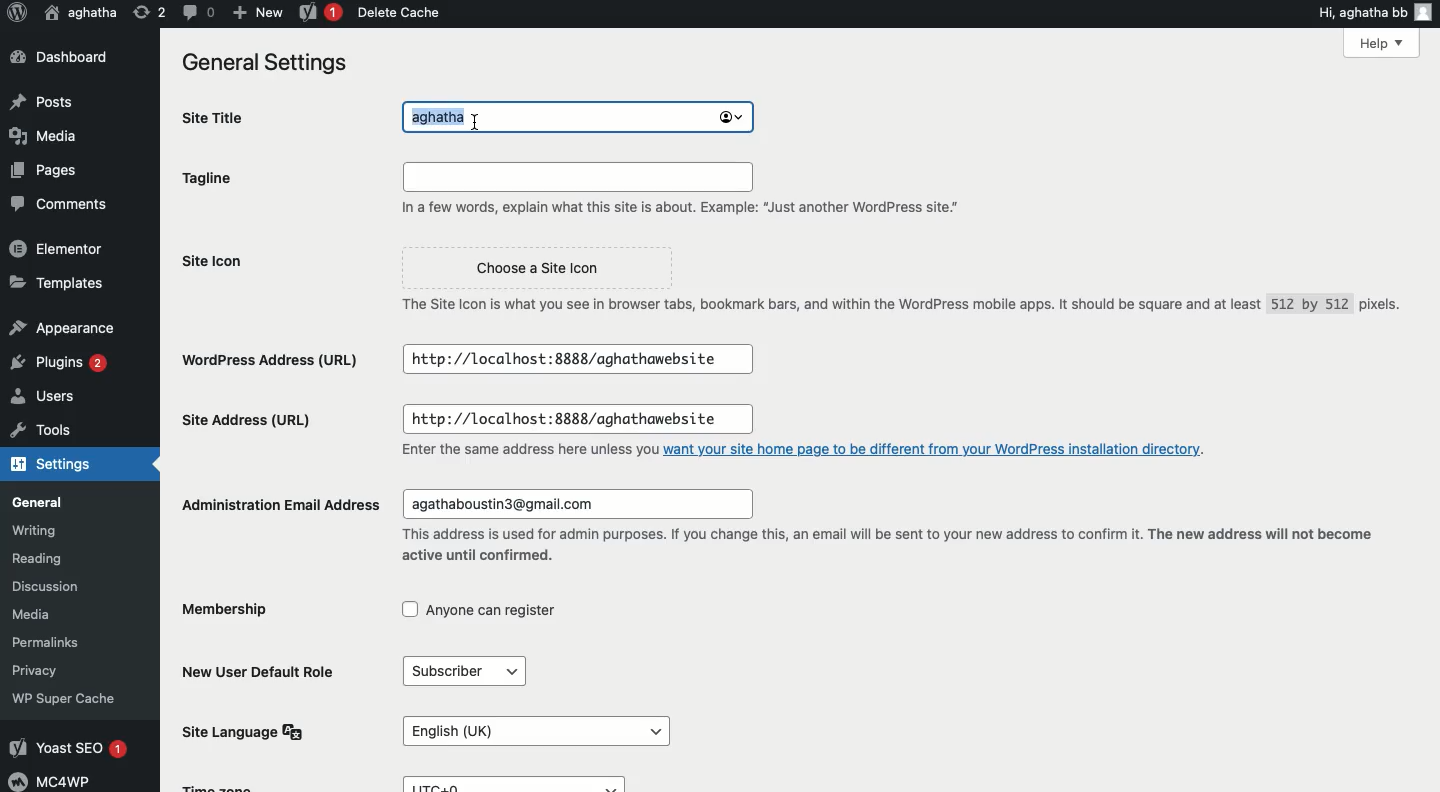 This screenshot has width=1440, height=792. I want to click on Comment, so click(195, 14).